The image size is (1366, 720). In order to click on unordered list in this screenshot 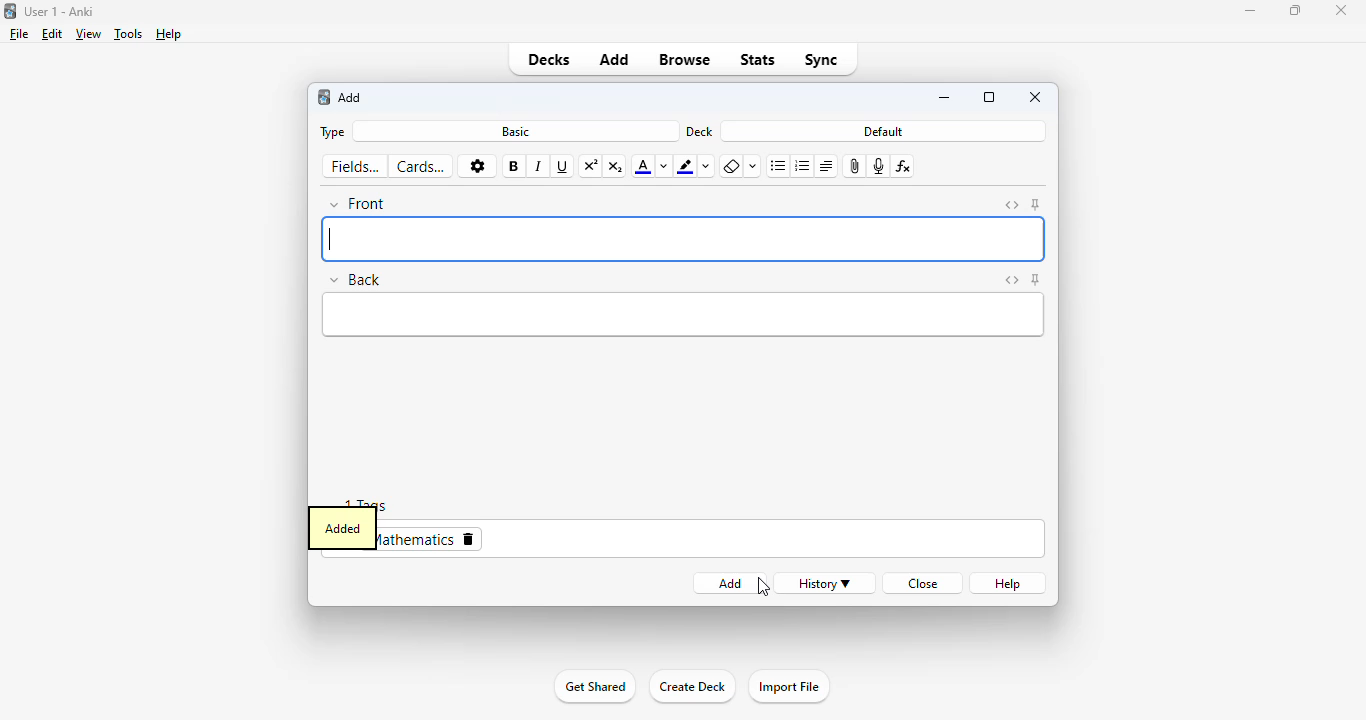, I will do `click(779, 167)`.